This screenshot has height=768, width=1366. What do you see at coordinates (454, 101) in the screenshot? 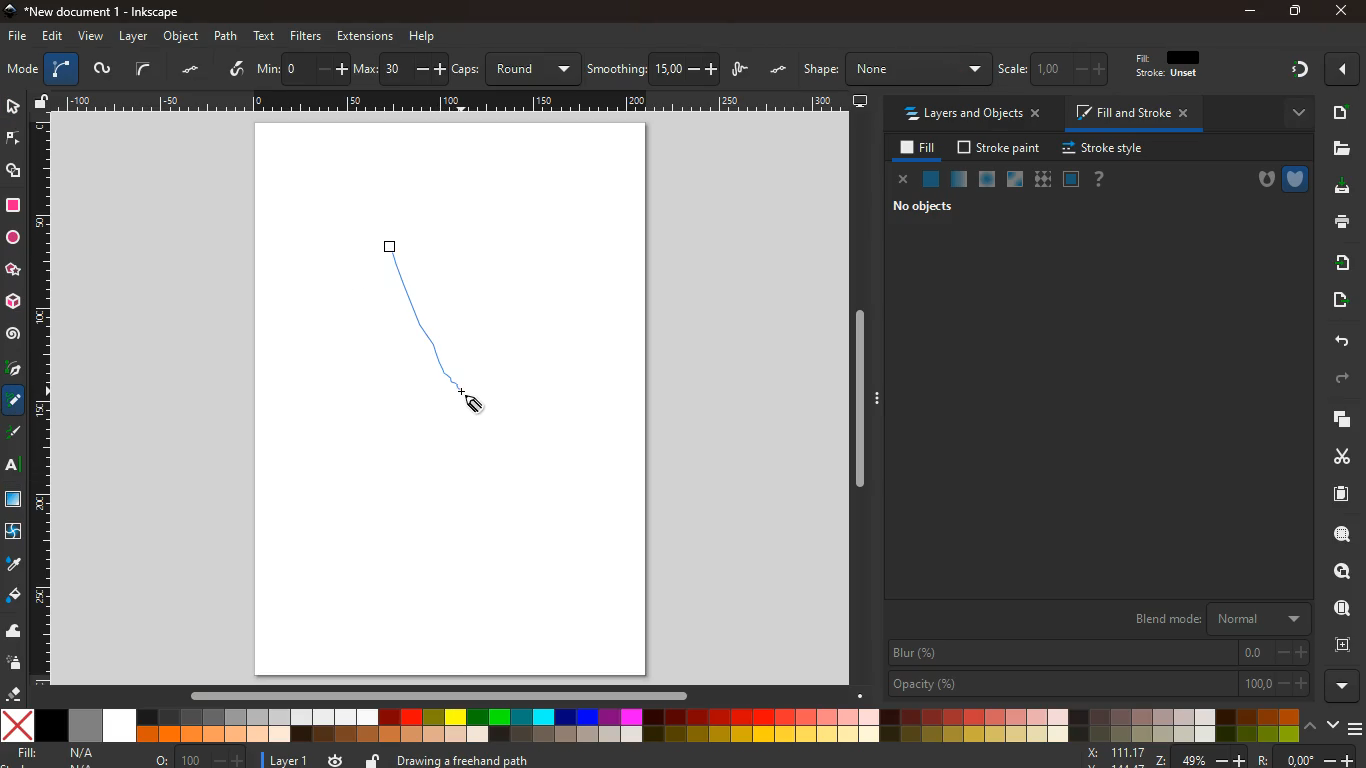
I see `Scale` at bounding box center [454, 101].